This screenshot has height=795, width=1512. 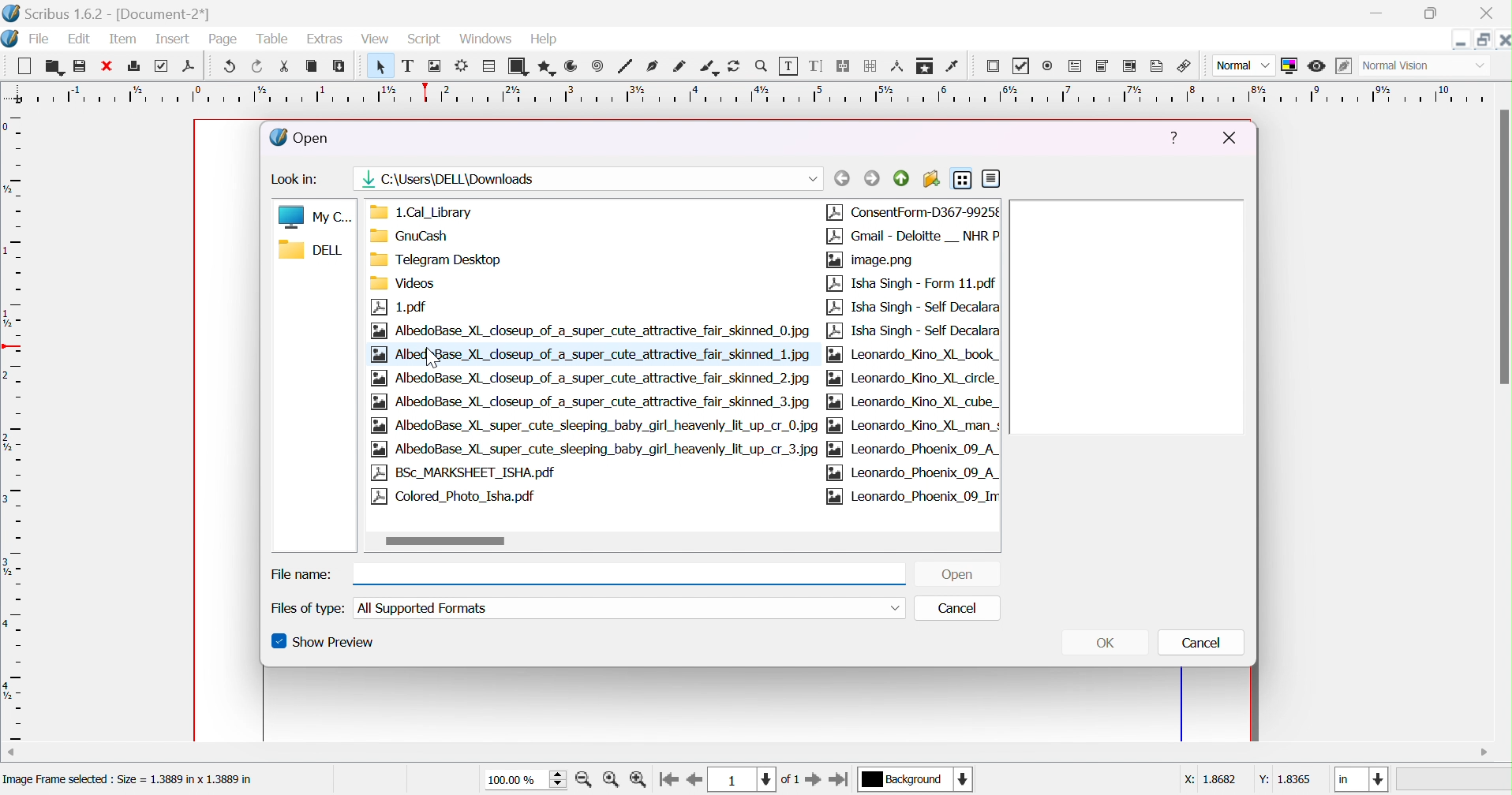 I want to click on scroll right, so click(x=1485, y=752).